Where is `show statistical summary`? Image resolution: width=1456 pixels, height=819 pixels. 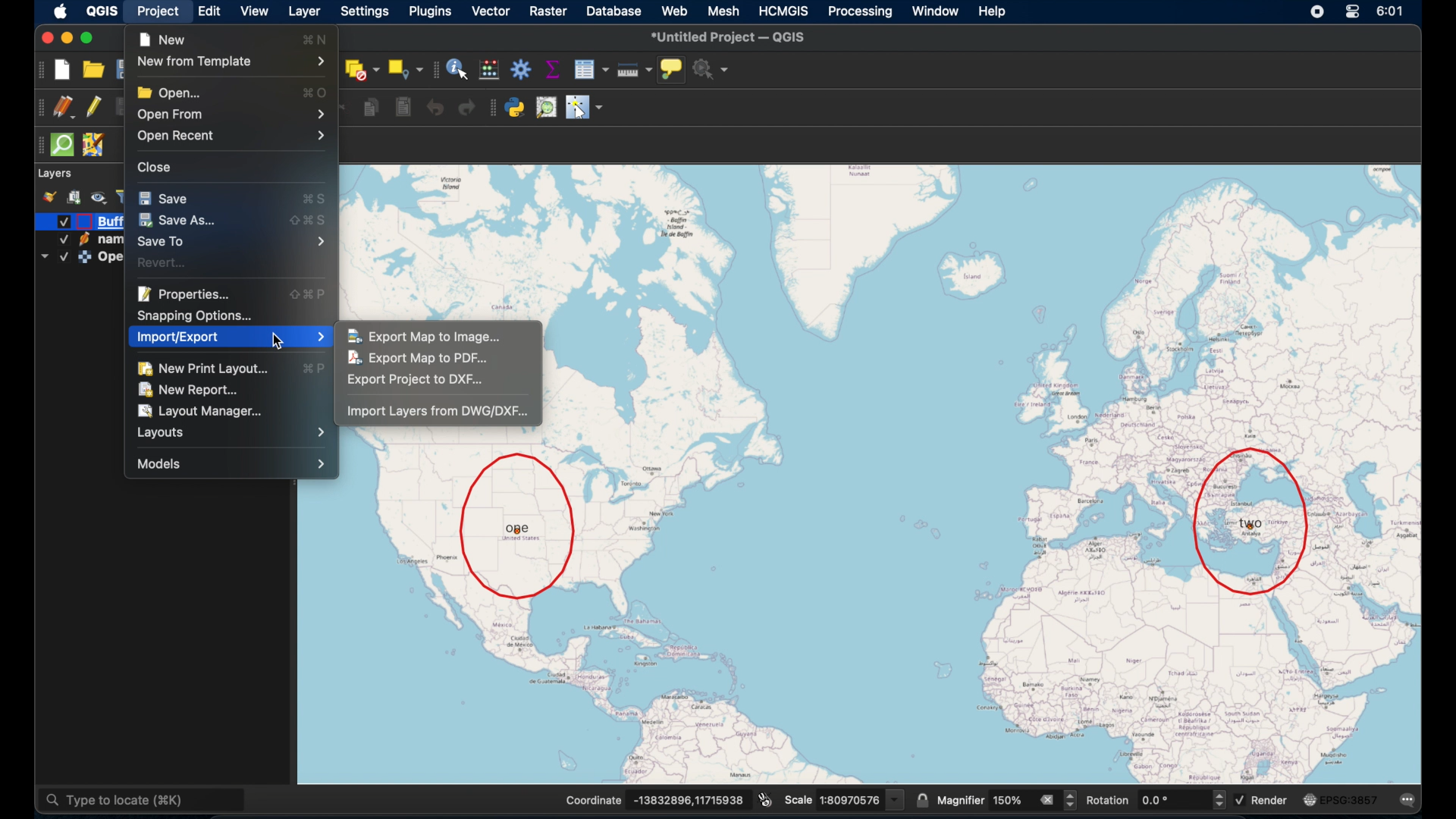
show statistical summary is located at coordinates (554, 68).